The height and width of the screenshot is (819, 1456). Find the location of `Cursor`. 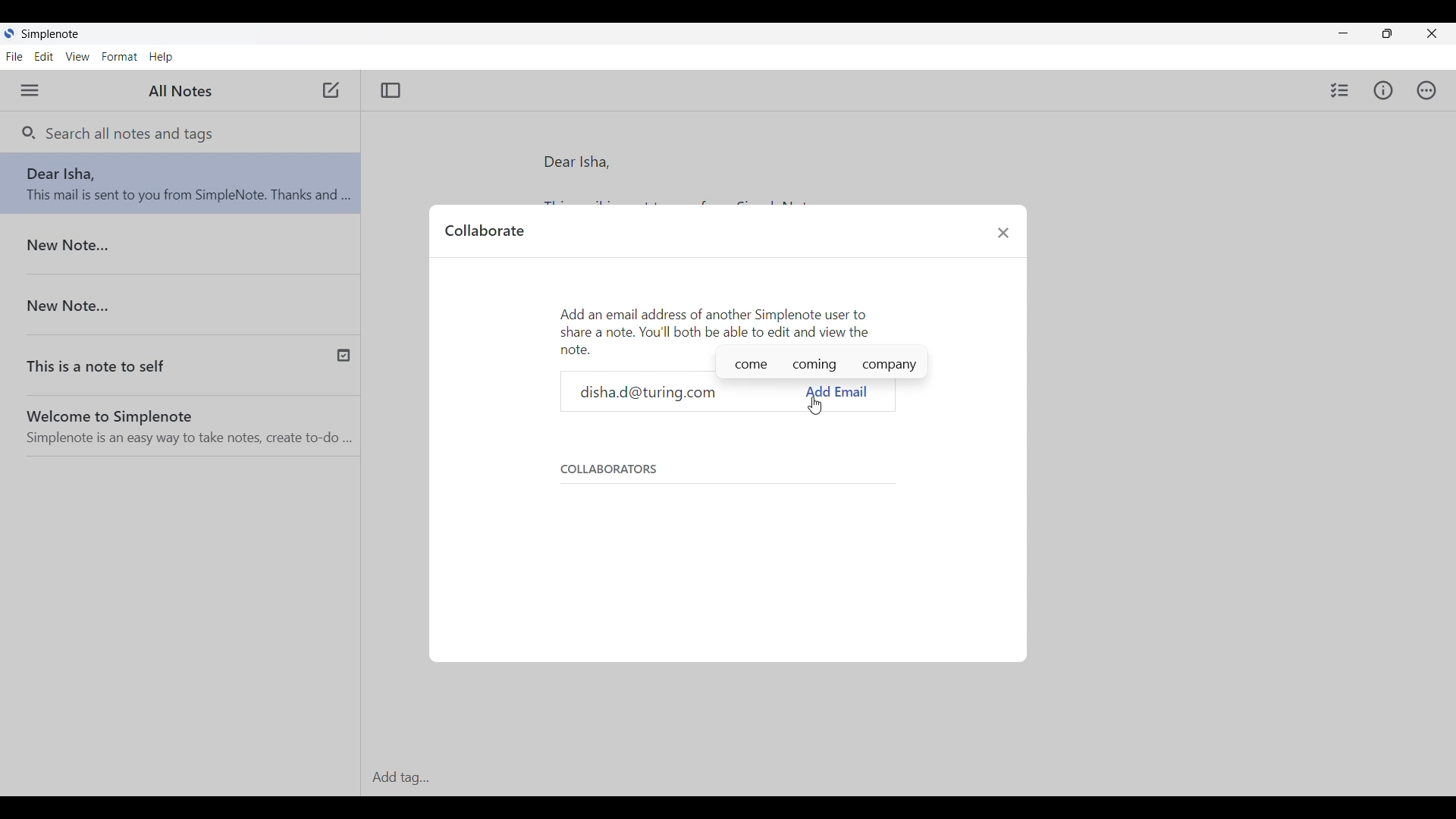

Cursor is located at coordinates (814, 406).